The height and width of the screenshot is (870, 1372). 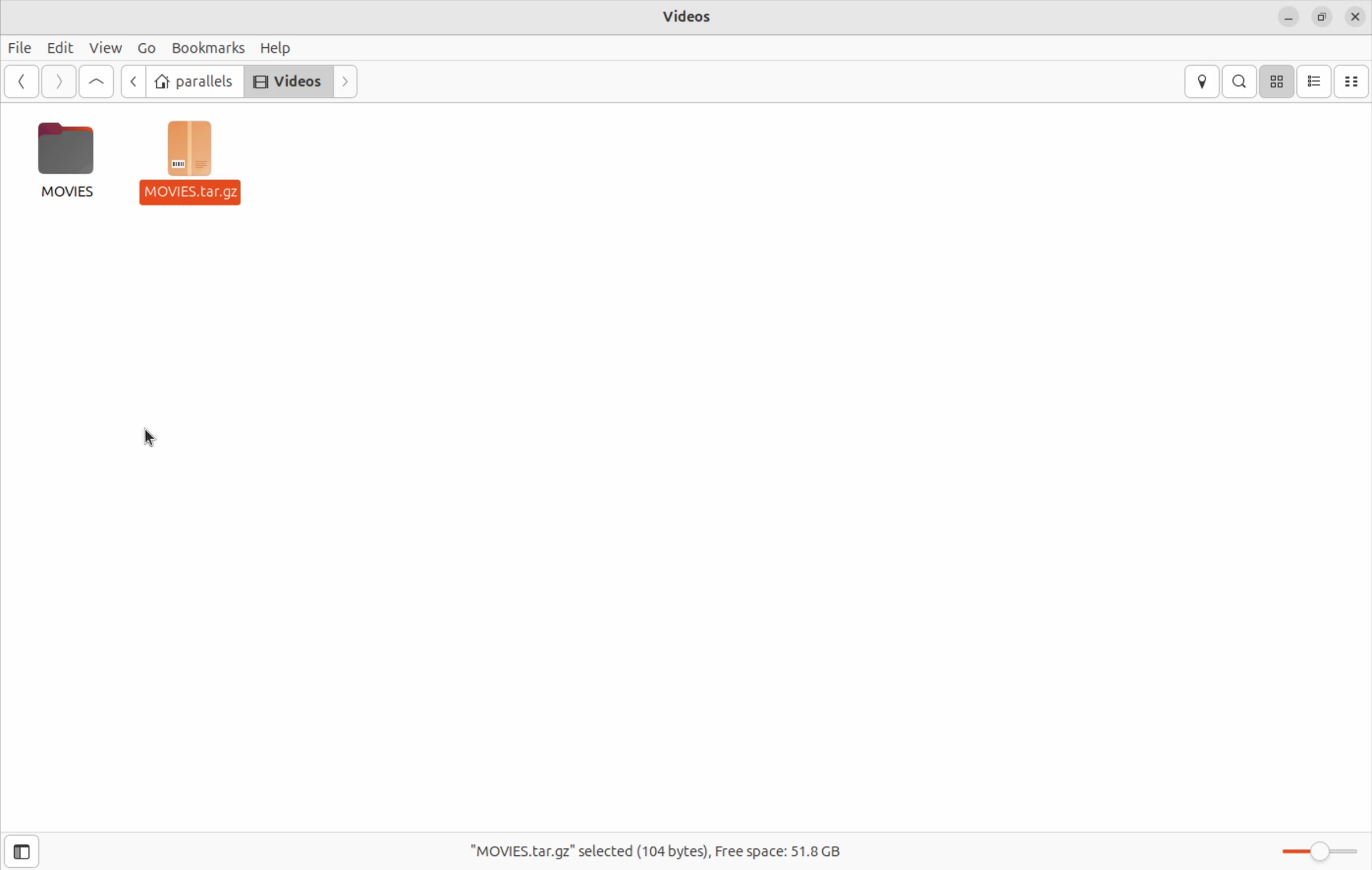 I want to click on help, so click(x=277, y=48).